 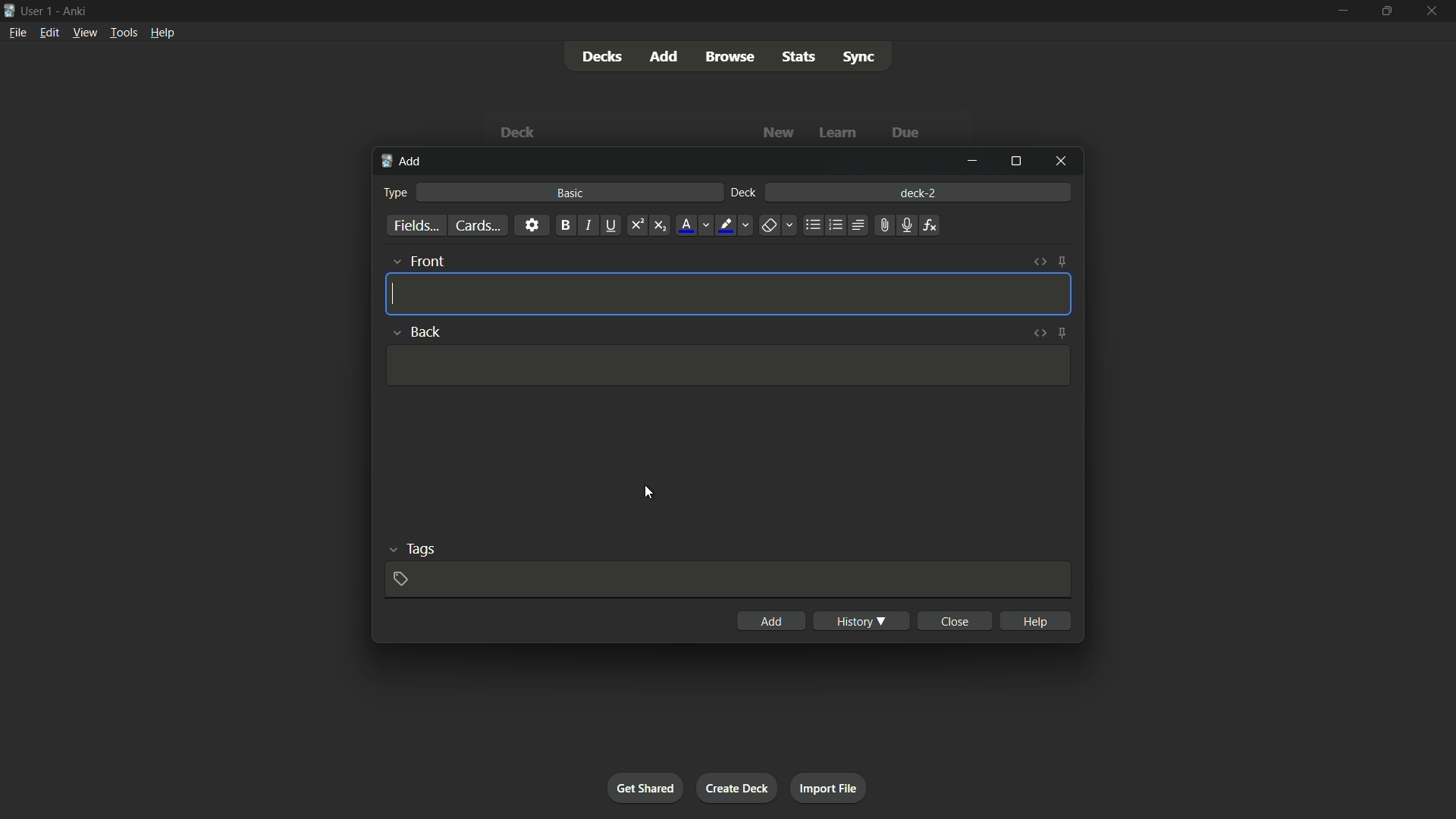 What do you see at coordinates (1058, 161) in the screenshot?
I see `close window` at bounding box center [1058, 161].